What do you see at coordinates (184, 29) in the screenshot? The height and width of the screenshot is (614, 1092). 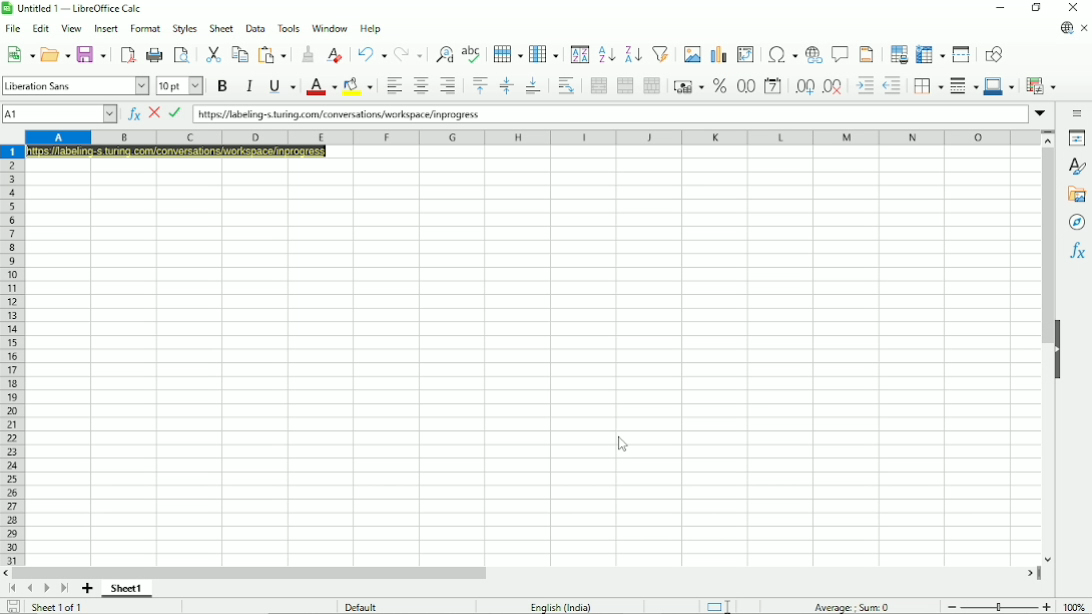 I see `Styles` at bounding box center [184, 29].